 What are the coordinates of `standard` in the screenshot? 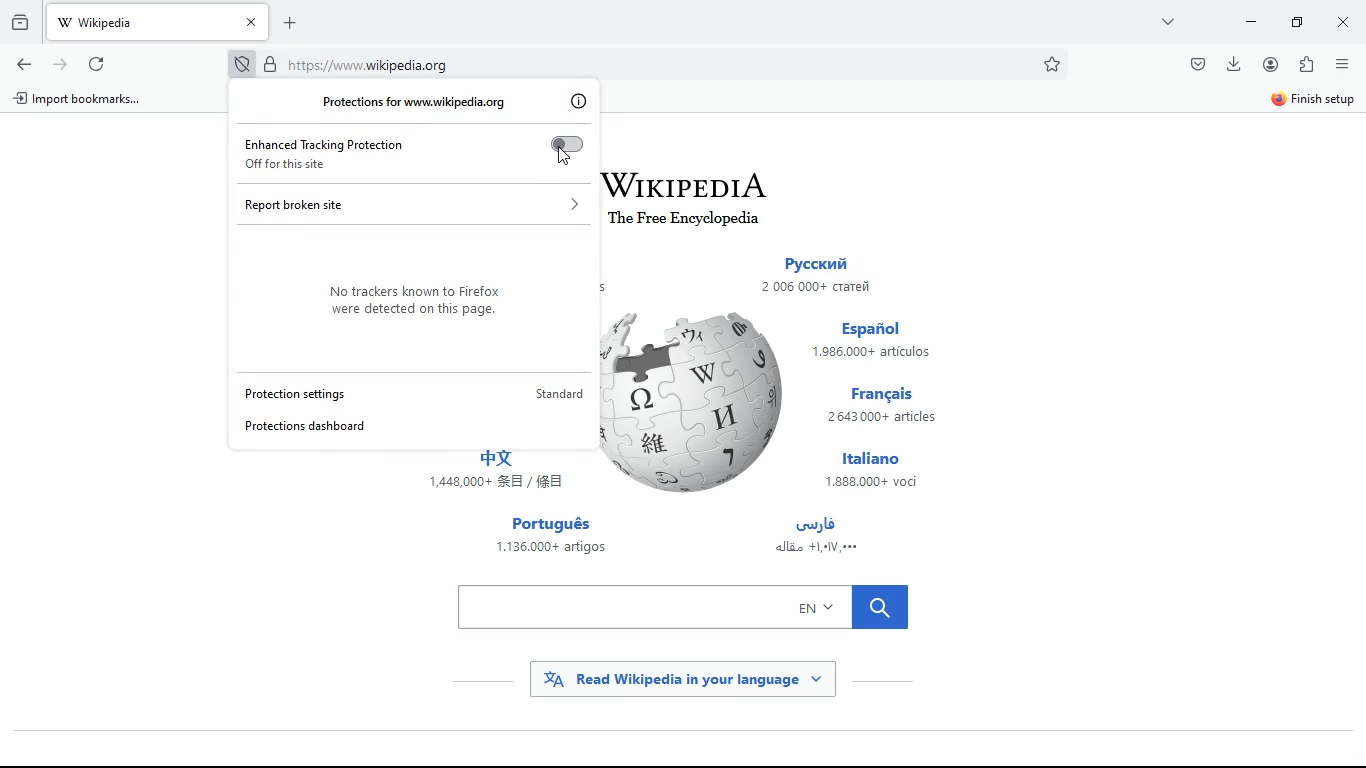 It's located at (559, 394).